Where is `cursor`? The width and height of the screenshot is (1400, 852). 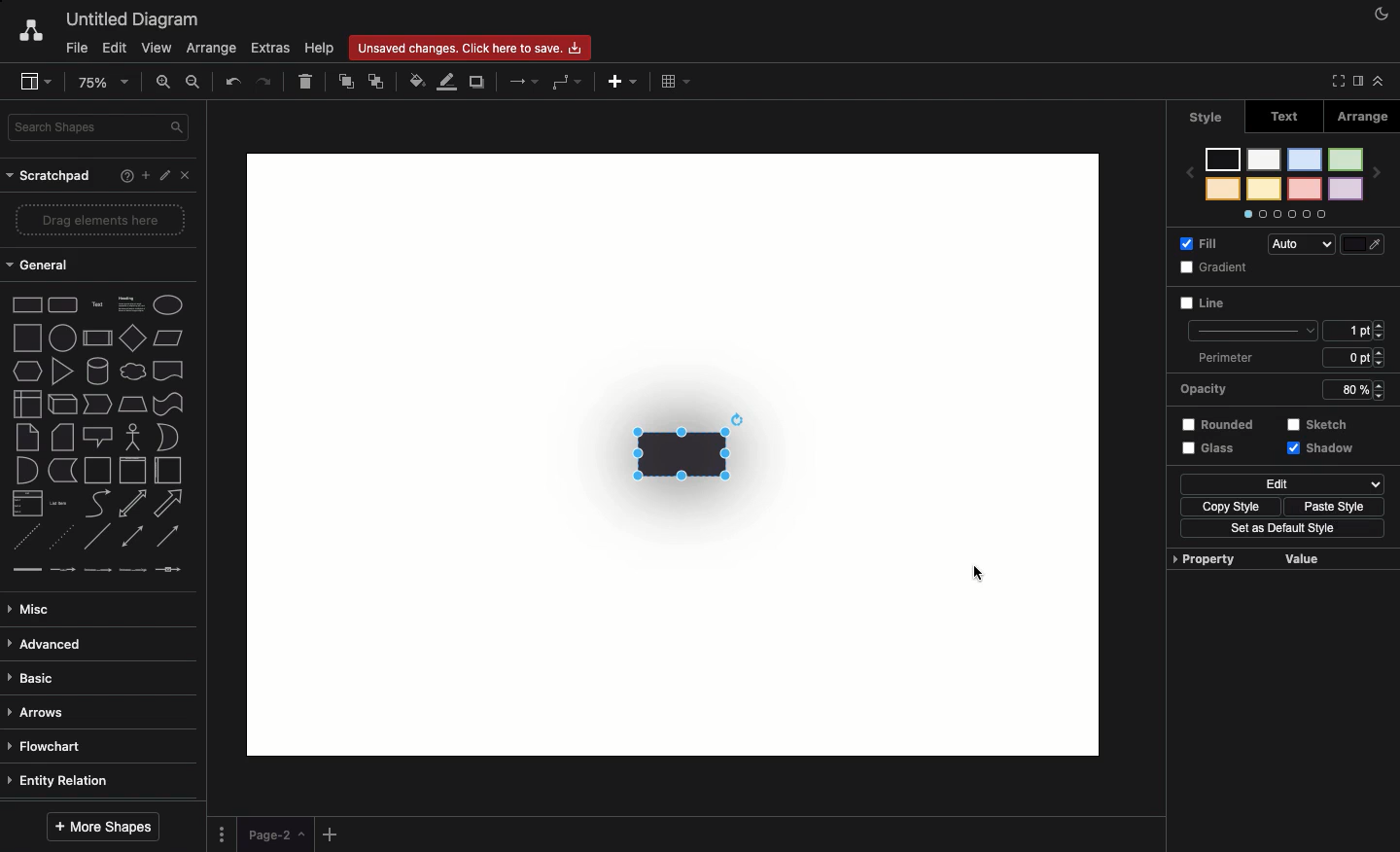 cursor is located at coordinates (976, 576).